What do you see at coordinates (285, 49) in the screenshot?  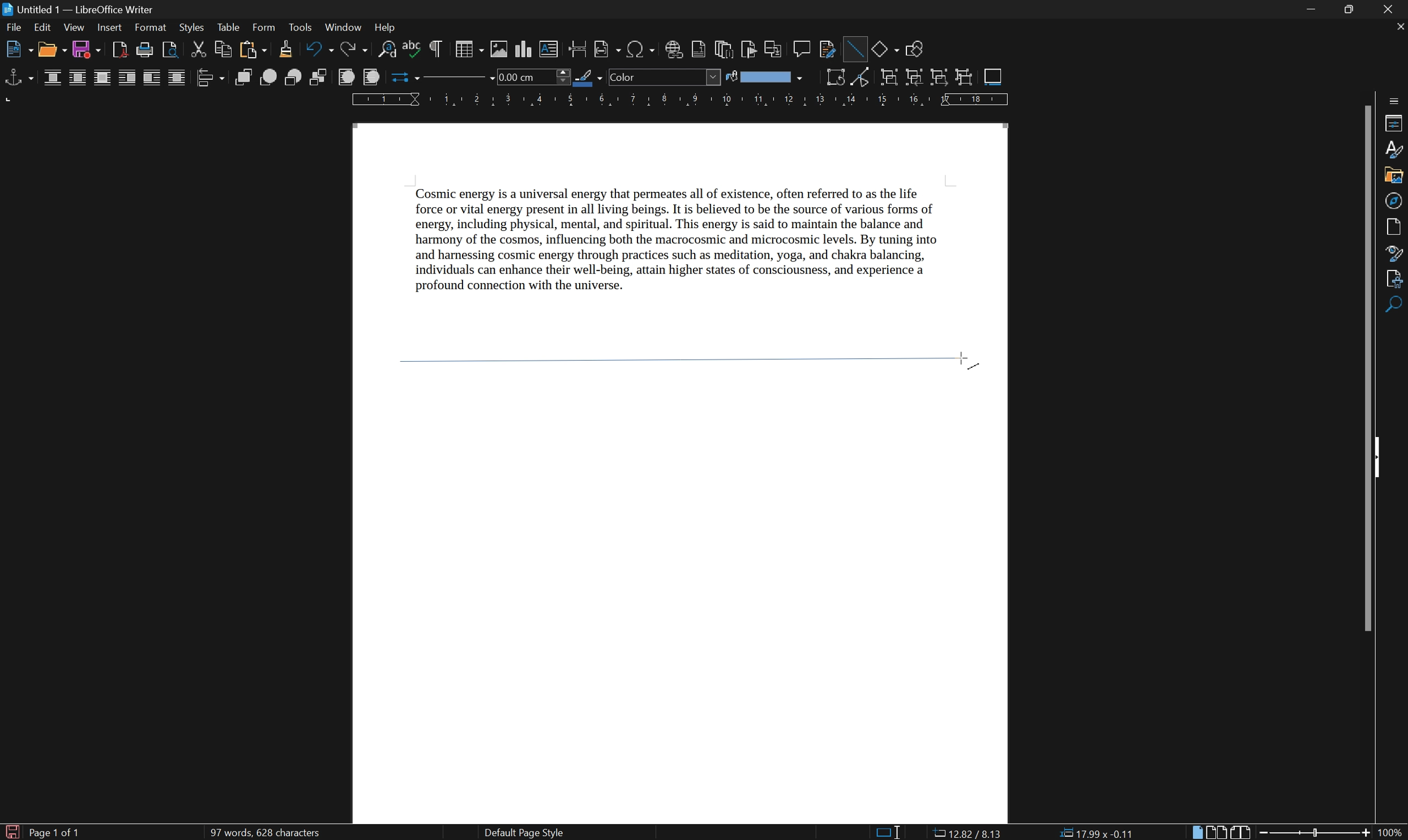 I see `clone formatting` at bounding box center [285, 49].